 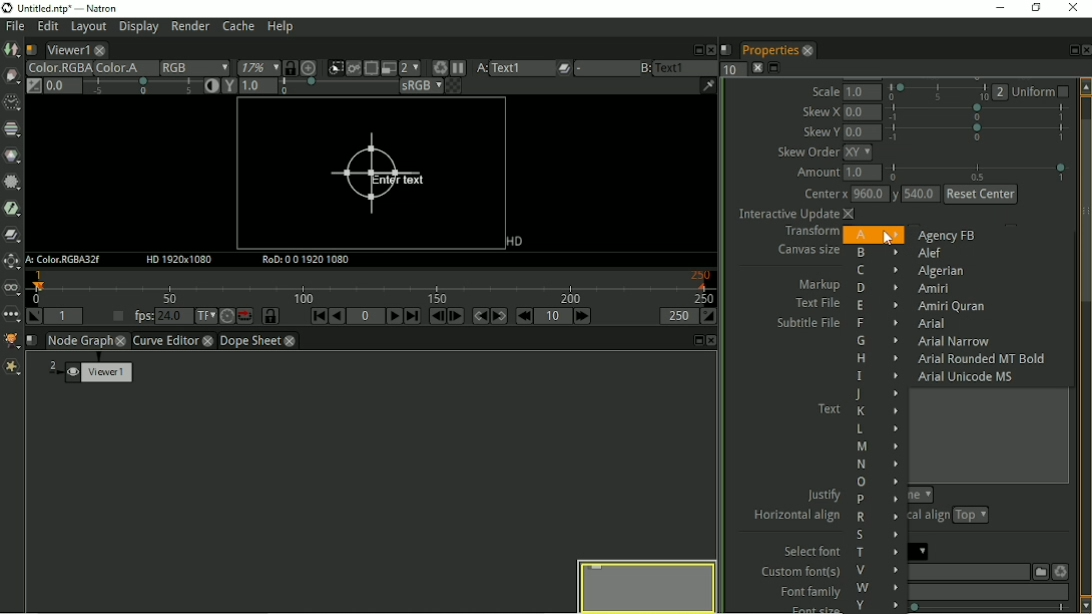 What do you see at coordinates (875, 341) in the screenshot?
I see `G` at bounding box center [875, 341].